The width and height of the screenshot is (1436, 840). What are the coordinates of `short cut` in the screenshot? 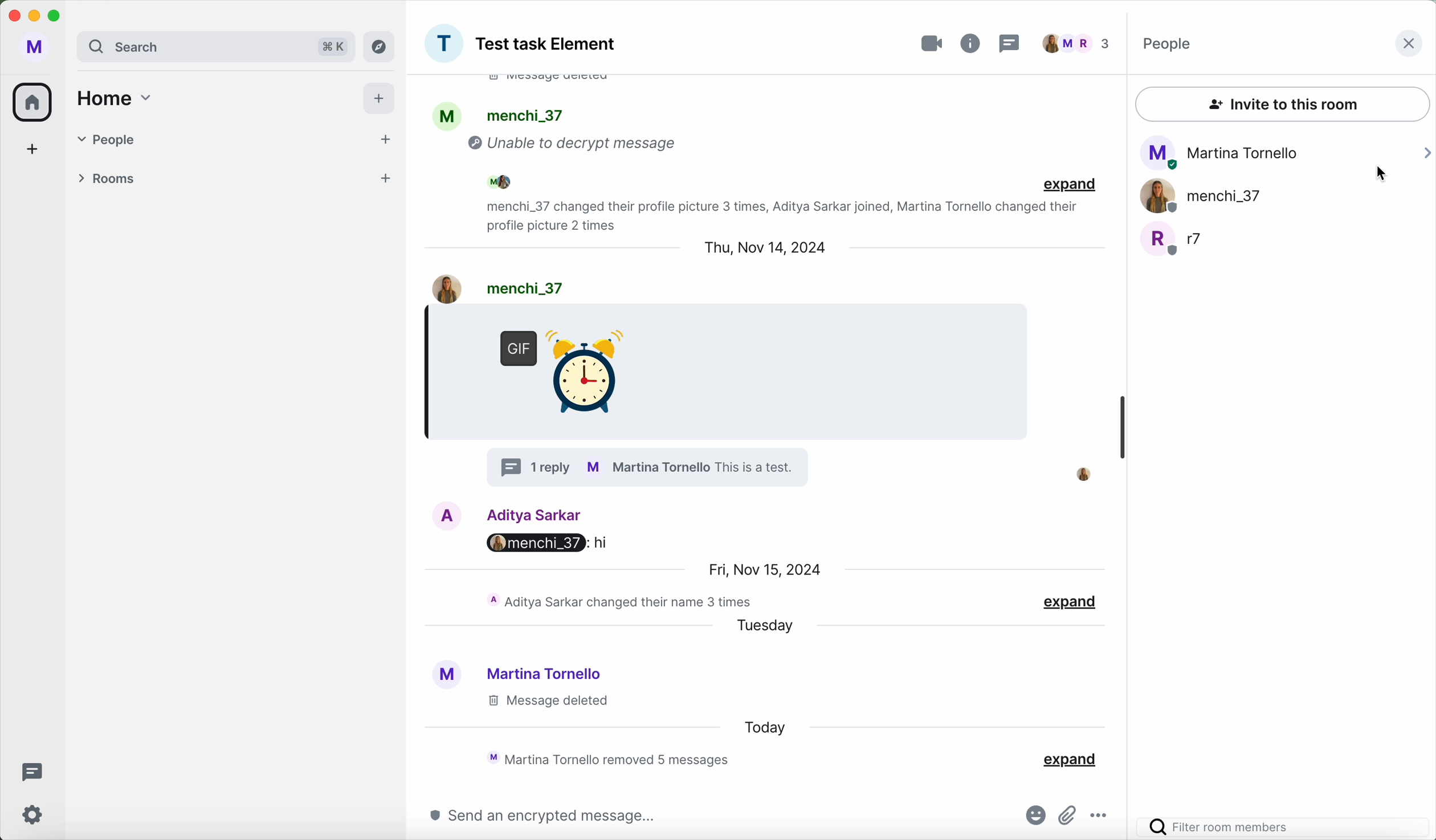 It's located at (327, 47).